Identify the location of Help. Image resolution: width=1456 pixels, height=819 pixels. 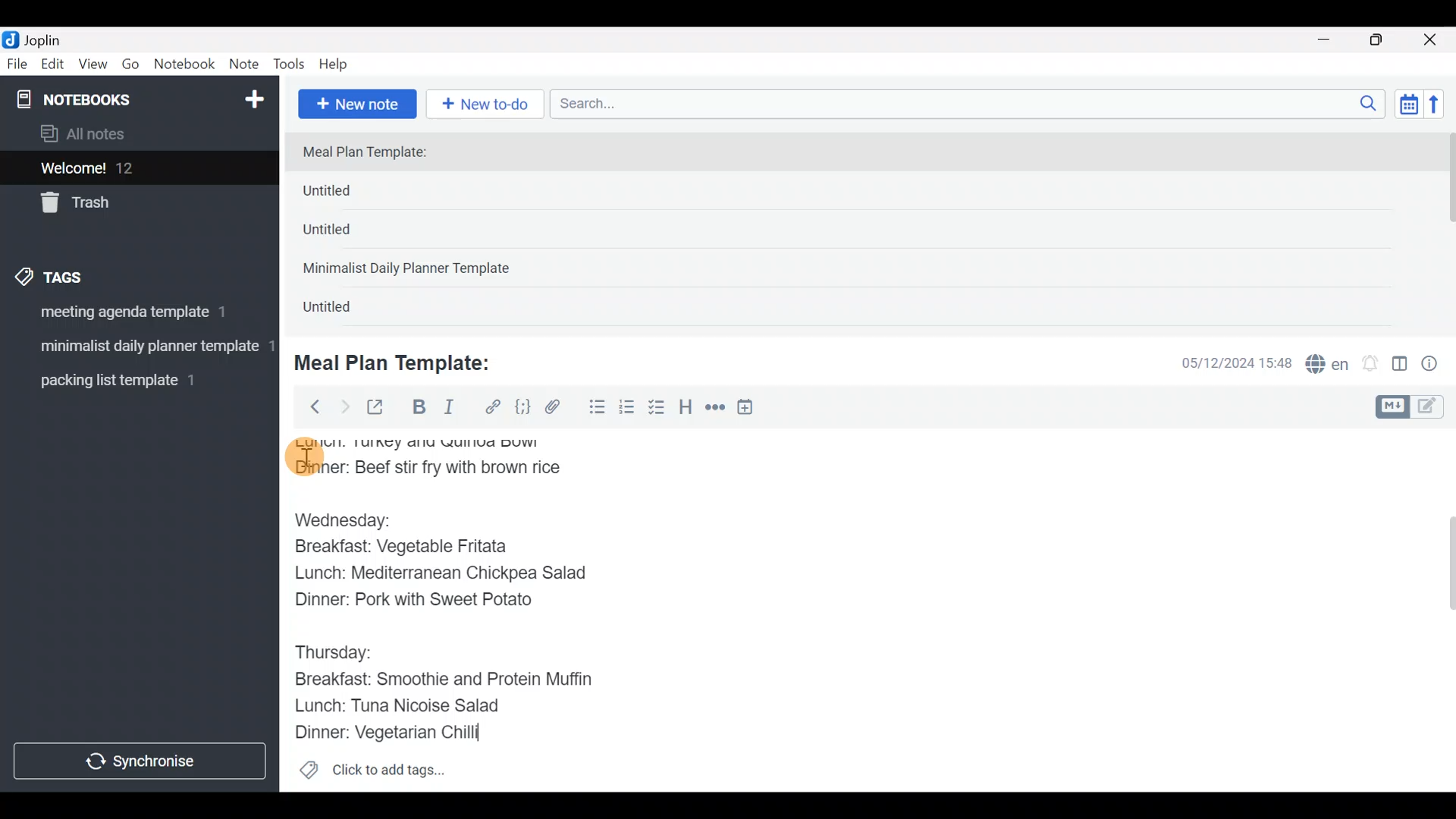
(339, 61).